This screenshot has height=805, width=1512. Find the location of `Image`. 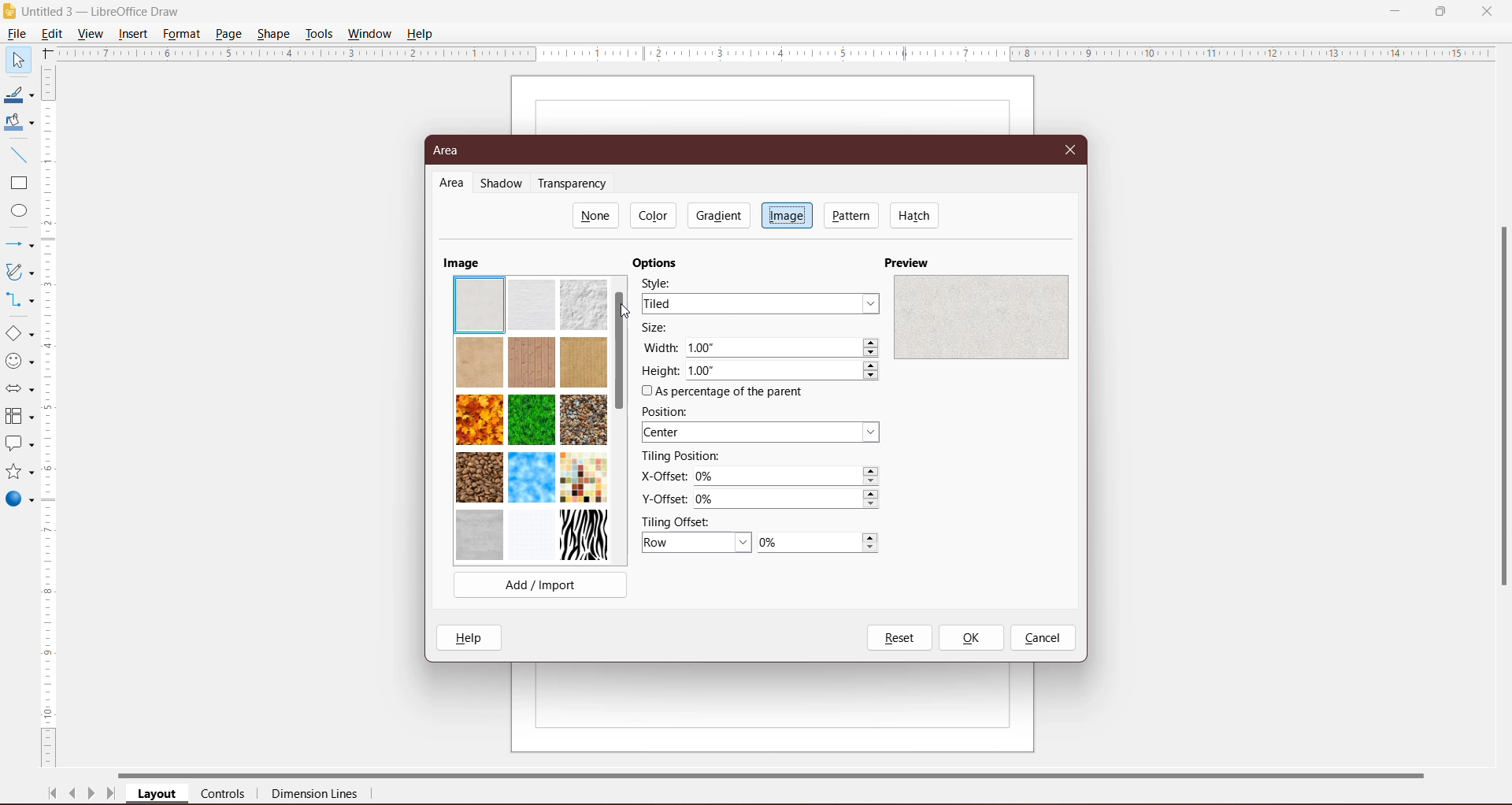

Image is located at coordinates (461, 262).